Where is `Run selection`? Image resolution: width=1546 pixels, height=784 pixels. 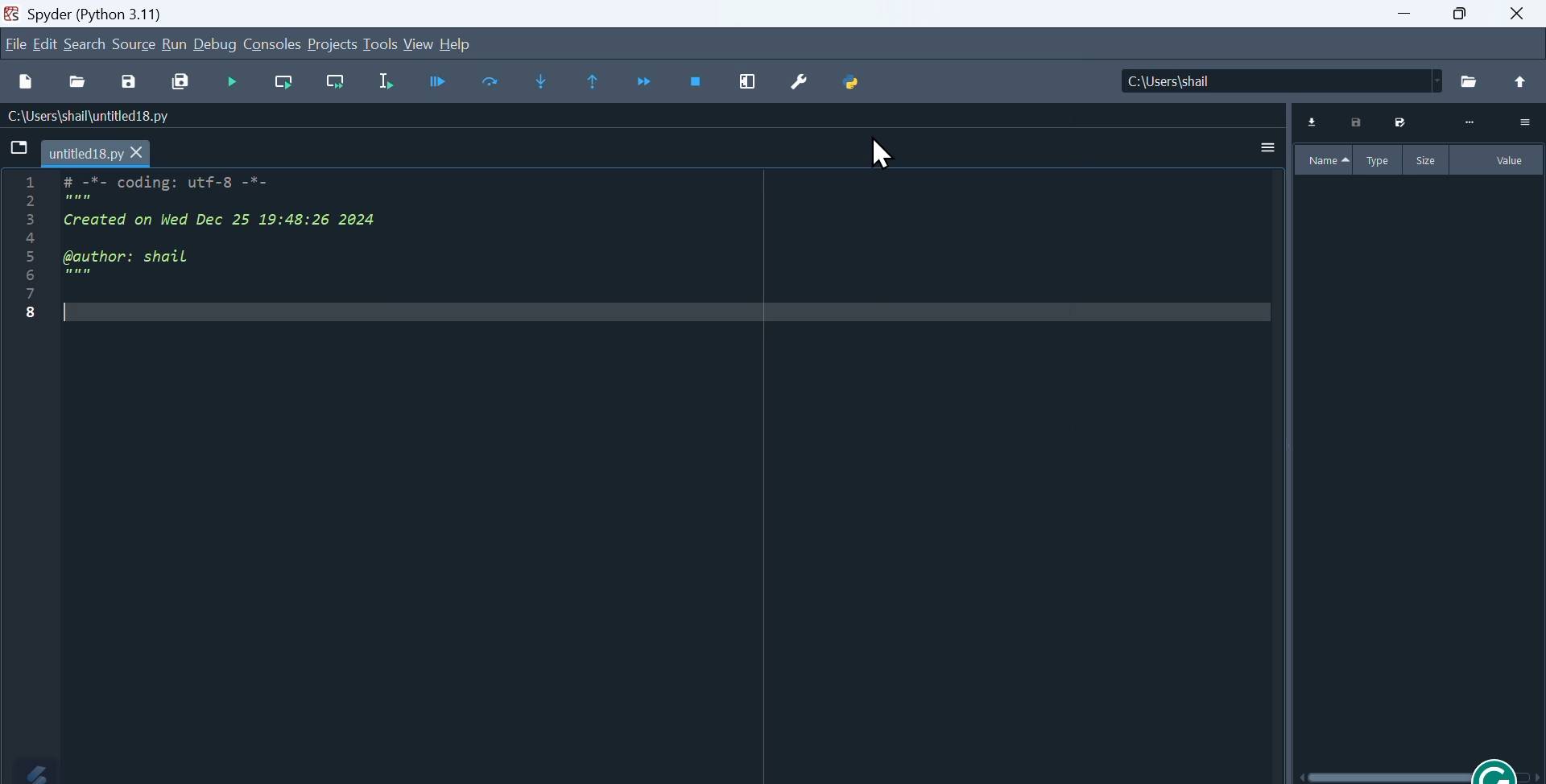 Run selection is located at coordinates (383, 83).